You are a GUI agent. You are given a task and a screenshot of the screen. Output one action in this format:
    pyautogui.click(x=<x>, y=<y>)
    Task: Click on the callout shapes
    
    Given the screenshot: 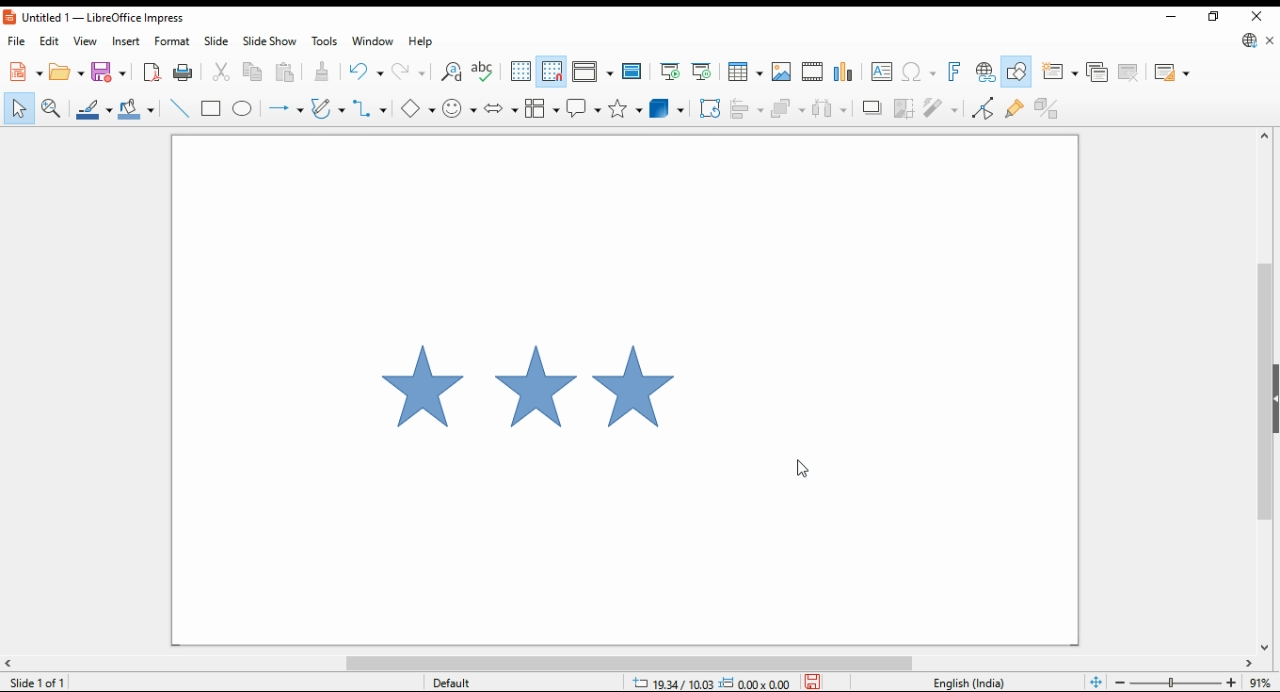 What is the action you would take?
    pyautogui.click(x=583, y=108)
    